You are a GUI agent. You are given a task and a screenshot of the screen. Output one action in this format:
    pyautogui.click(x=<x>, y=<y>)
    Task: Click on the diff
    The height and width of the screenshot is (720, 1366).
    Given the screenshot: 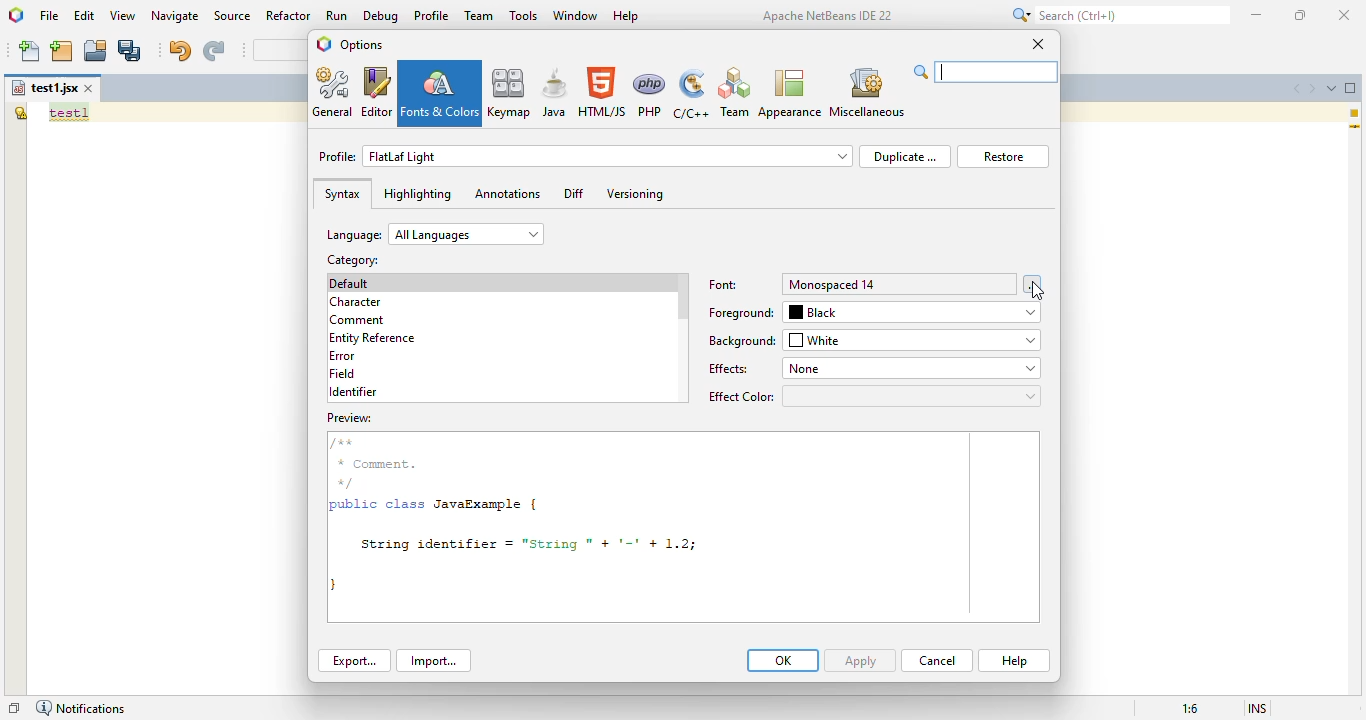 What is the action you would take?
    pyautogui.click(x=575, y=193)
    